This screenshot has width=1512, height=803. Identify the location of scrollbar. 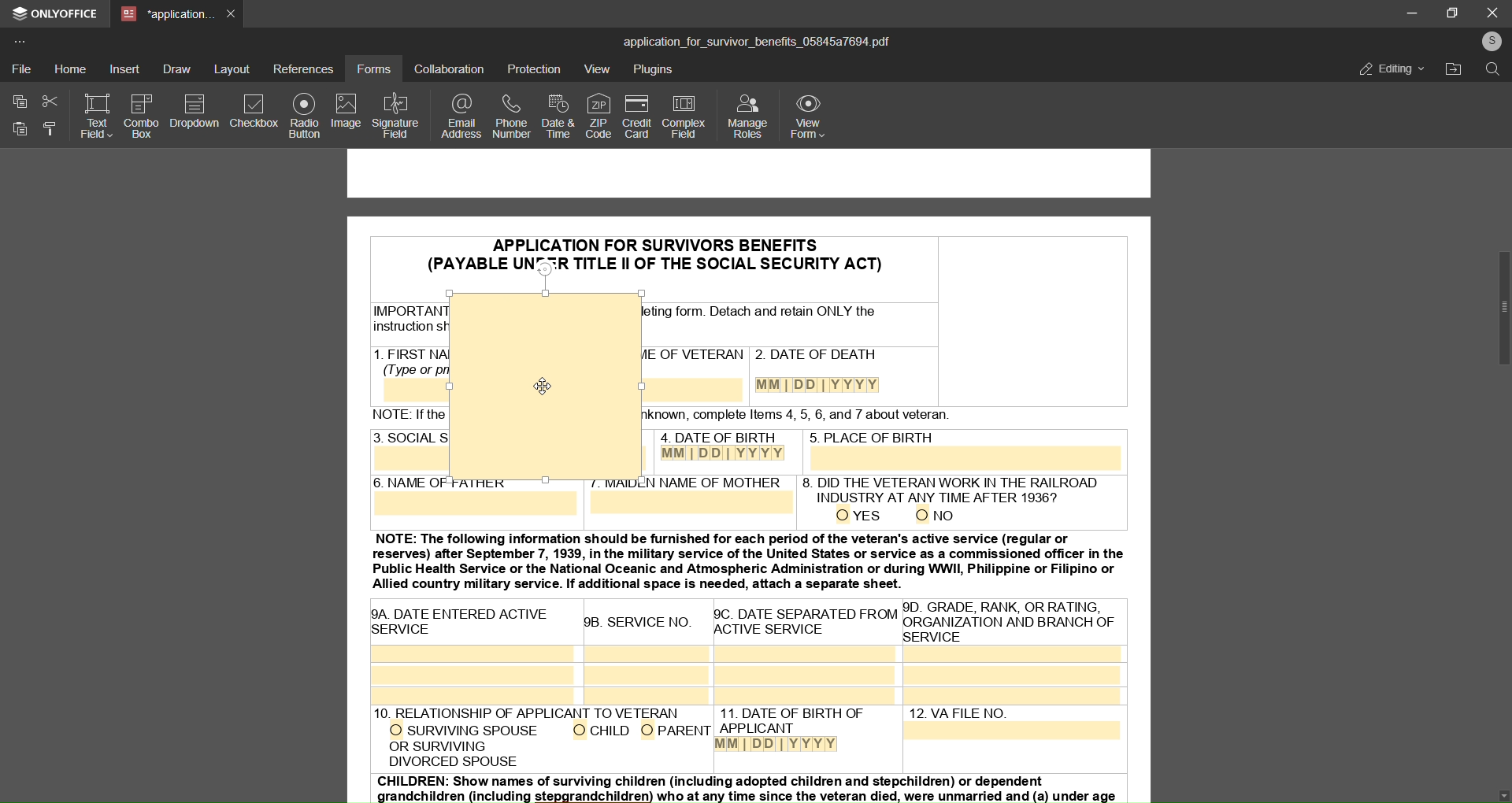
(1495, 308).